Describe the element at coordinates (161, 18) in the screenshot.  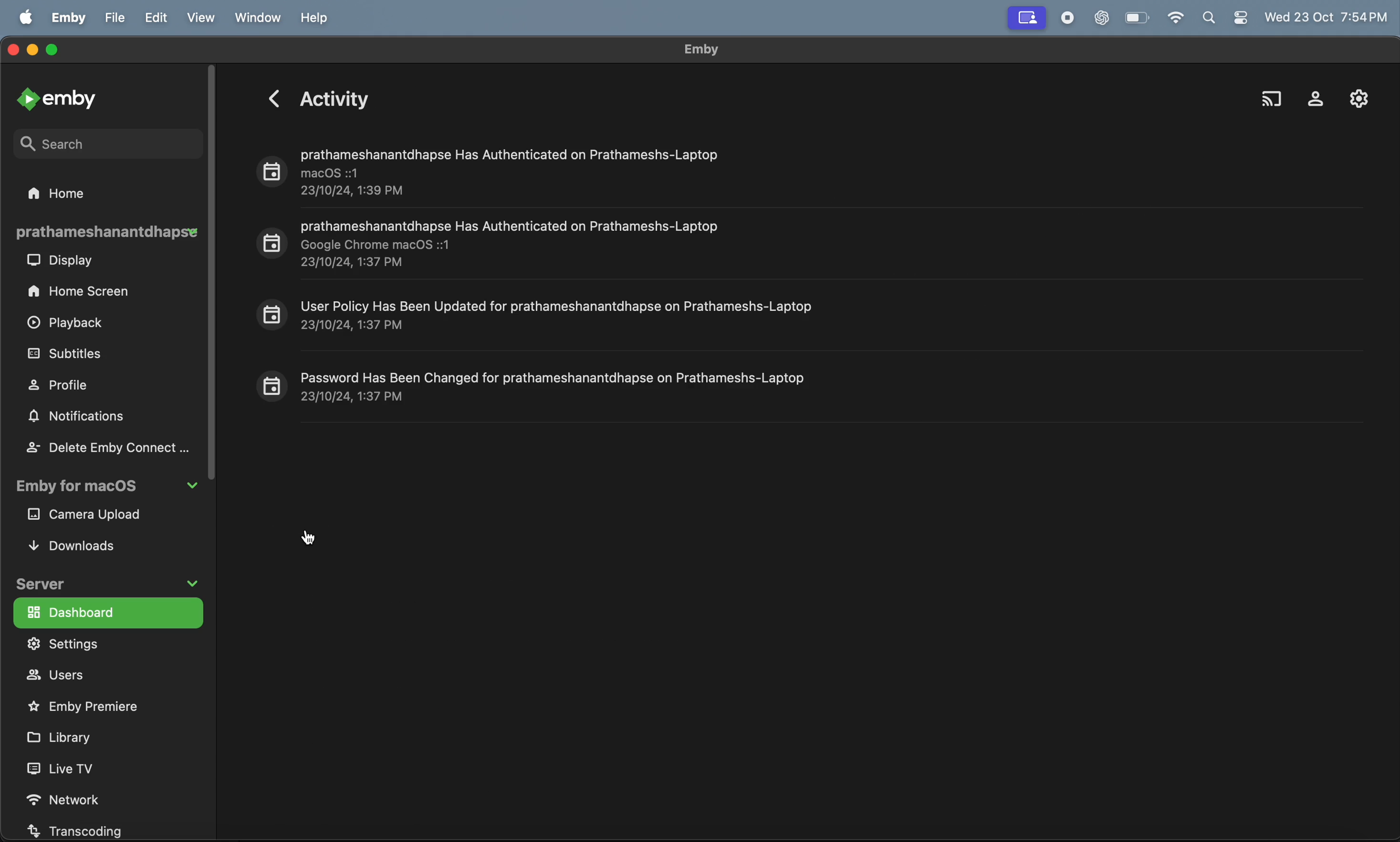
I see `edit` at that location.